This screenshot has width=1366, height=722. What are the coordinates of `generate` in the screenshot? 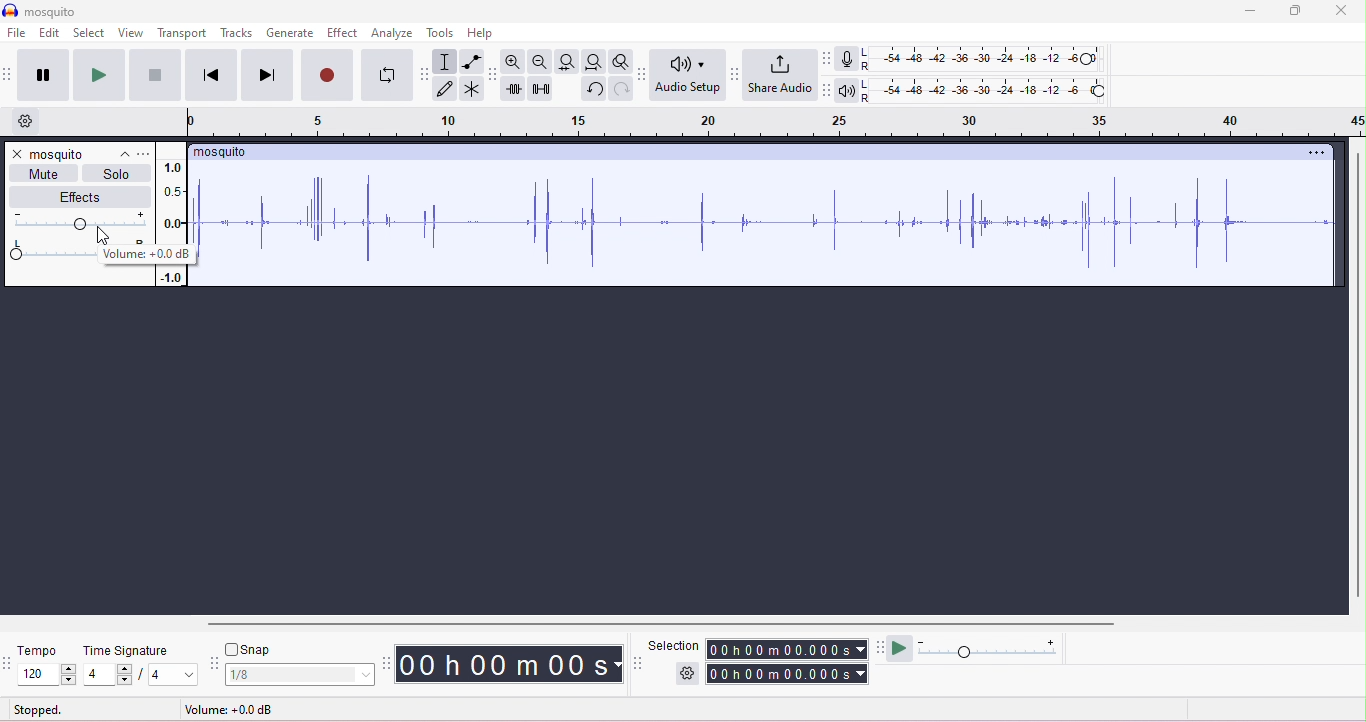 It's located at (290, 32).